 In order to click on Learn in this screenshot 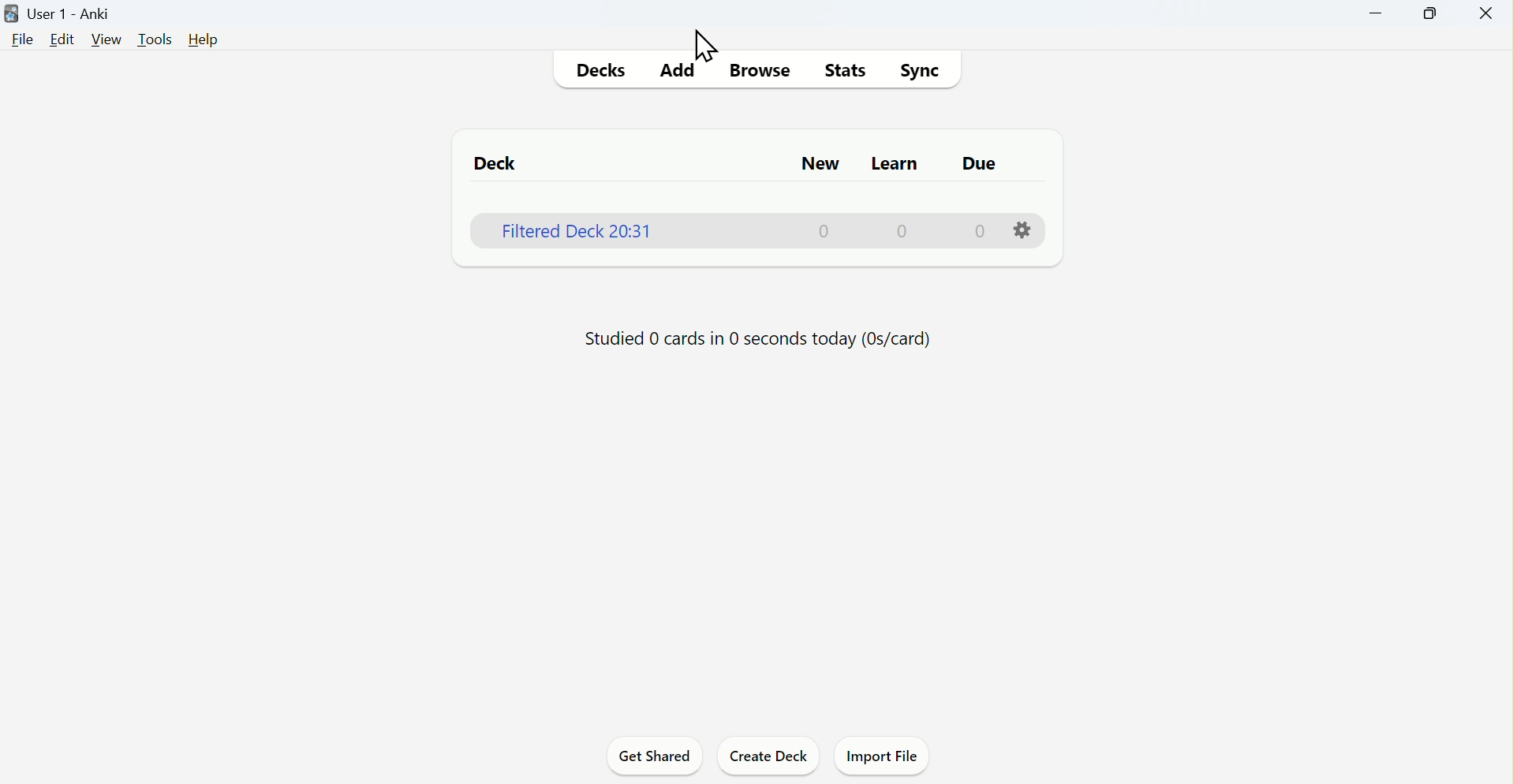, I will do `click(890, 162)`.